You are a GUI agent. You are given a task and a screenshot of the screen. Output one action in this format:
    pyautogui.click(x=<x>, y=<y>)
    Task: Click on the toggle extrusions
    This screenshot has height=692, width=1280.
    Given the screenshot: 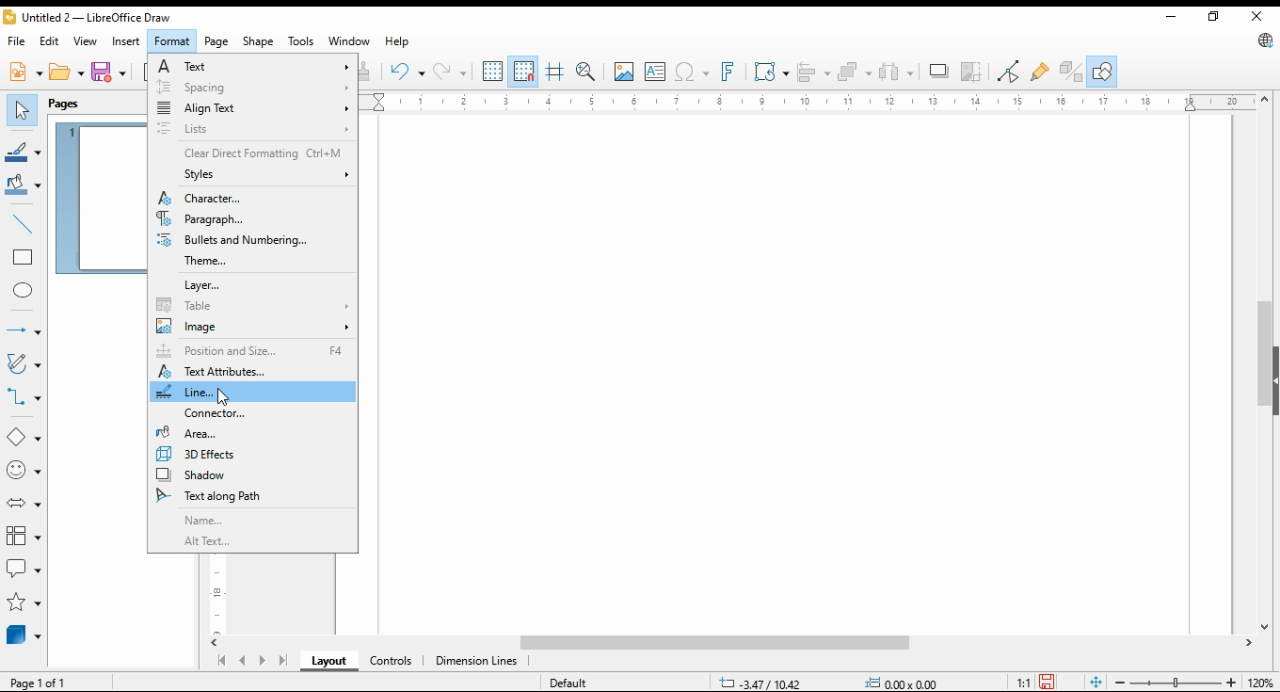 What is the action you would take?
    pyautogui.click(x=1071, y=72)
    